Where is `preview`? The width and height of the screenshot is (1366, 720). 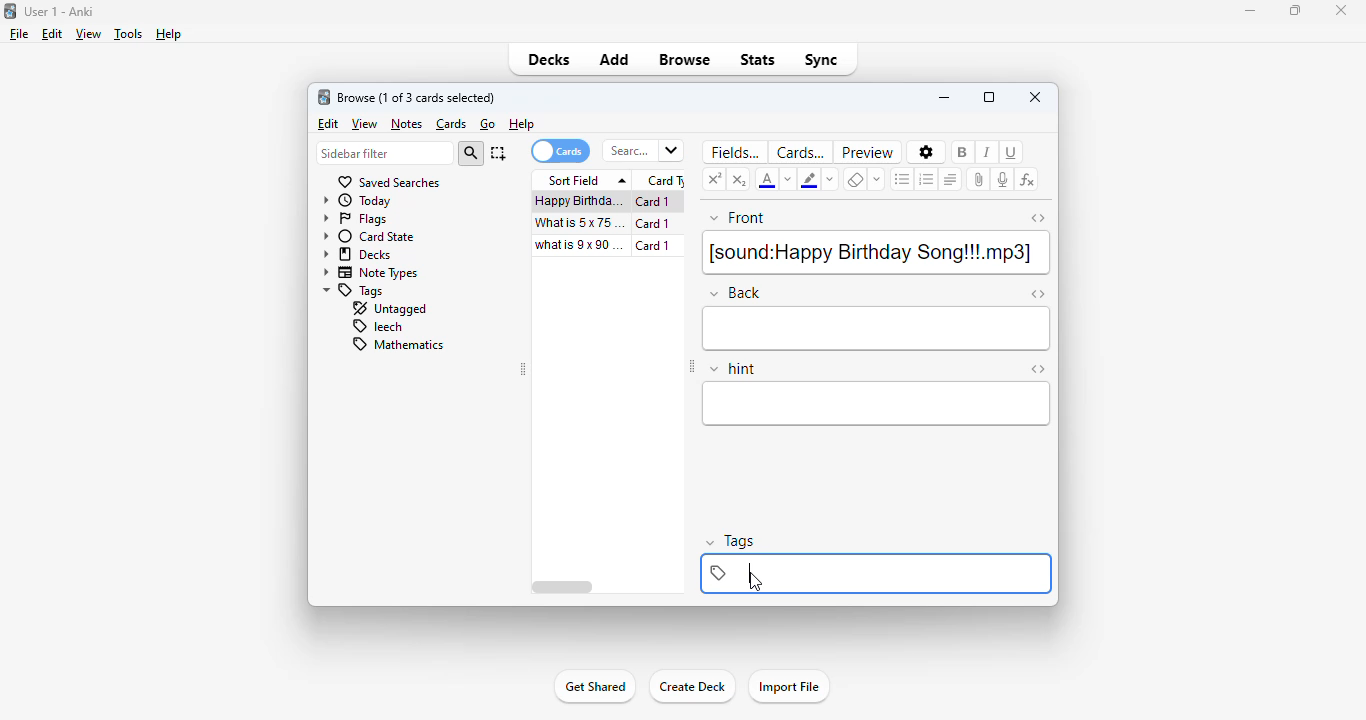
preview is located at coordinates (868, 152).